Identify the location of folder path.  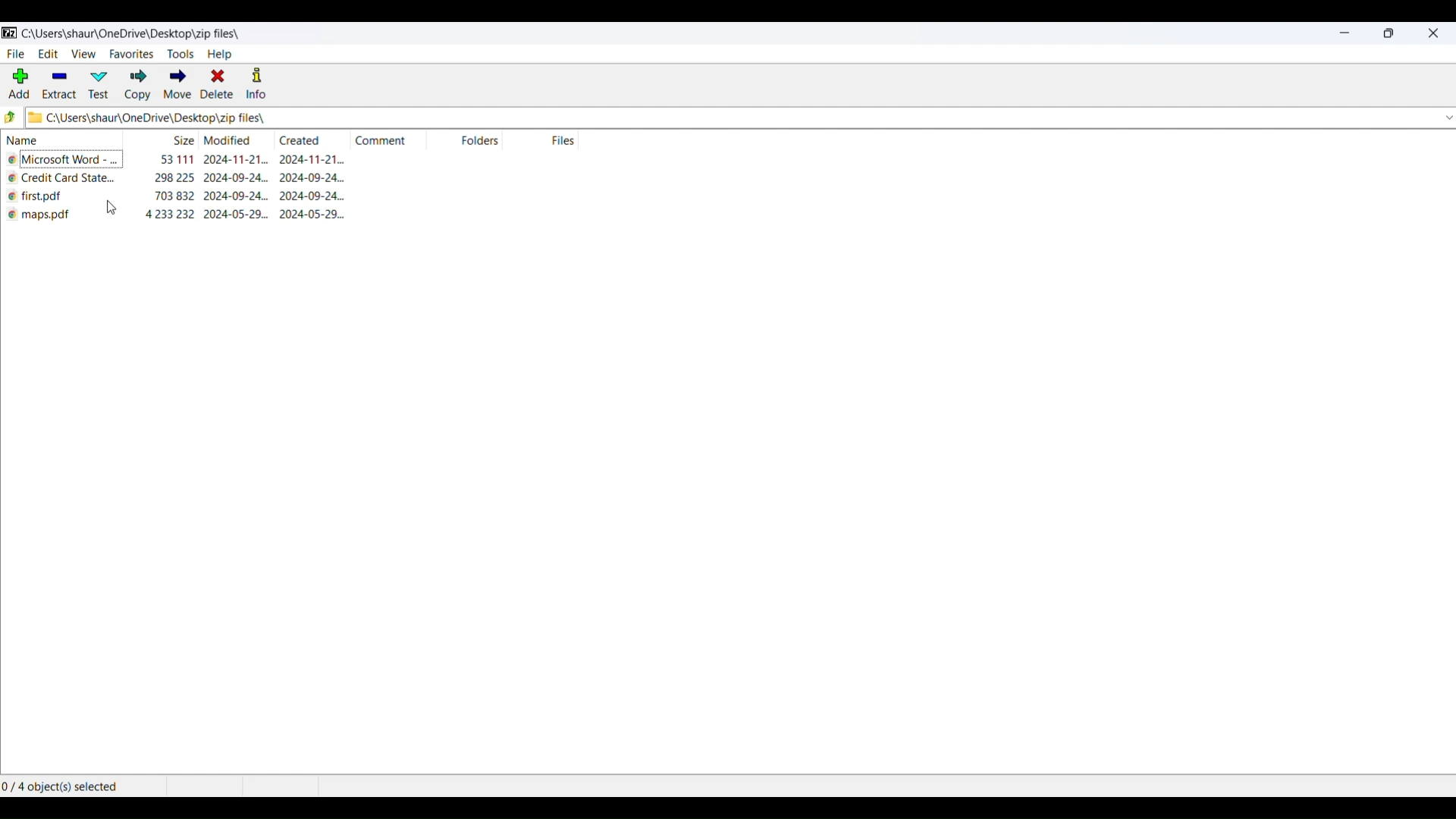
(634, 117).